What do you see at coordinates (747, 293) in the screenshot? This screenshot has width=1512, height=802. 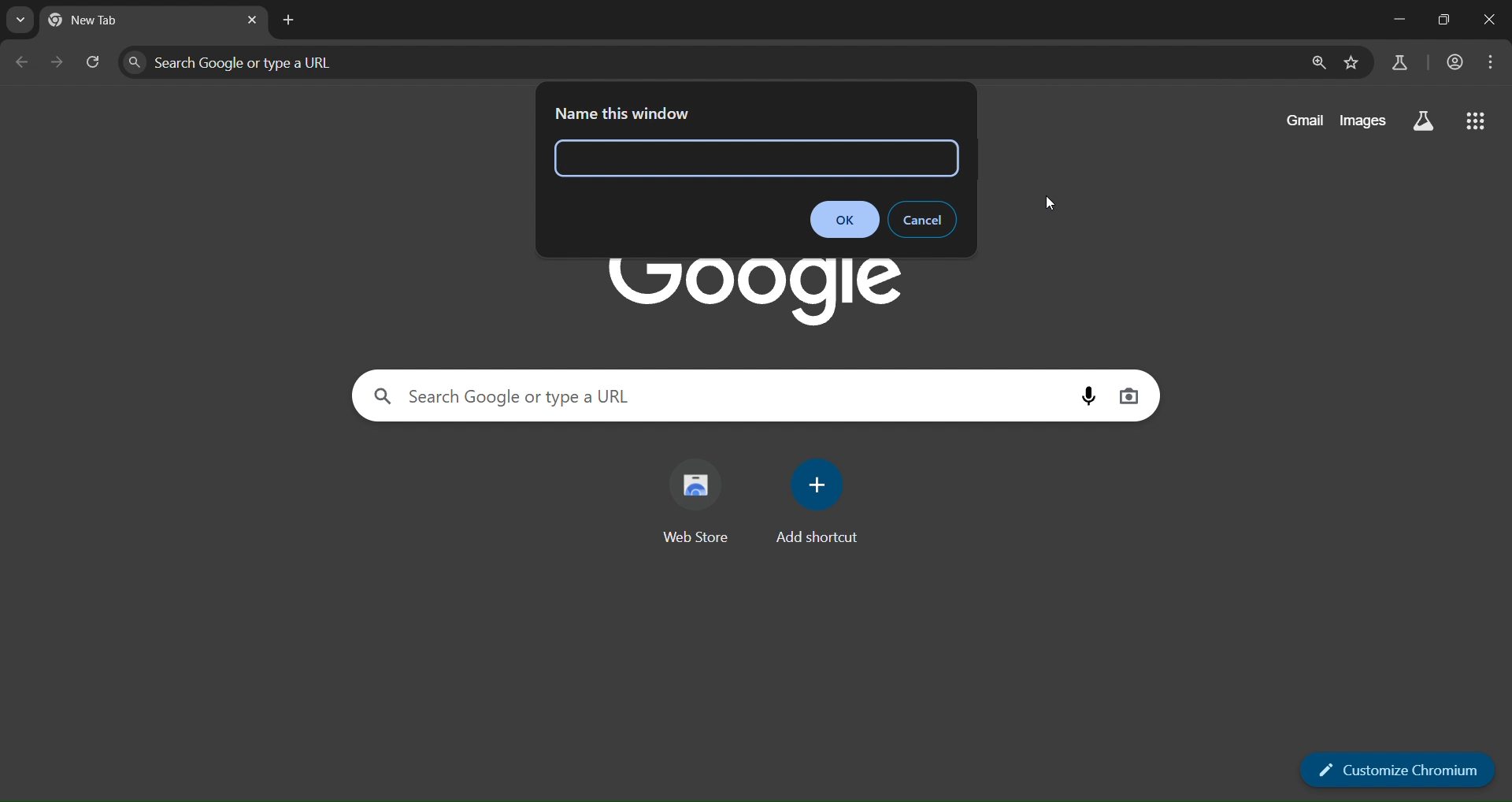 I see `Google logo` at bounding box center [747, 293].